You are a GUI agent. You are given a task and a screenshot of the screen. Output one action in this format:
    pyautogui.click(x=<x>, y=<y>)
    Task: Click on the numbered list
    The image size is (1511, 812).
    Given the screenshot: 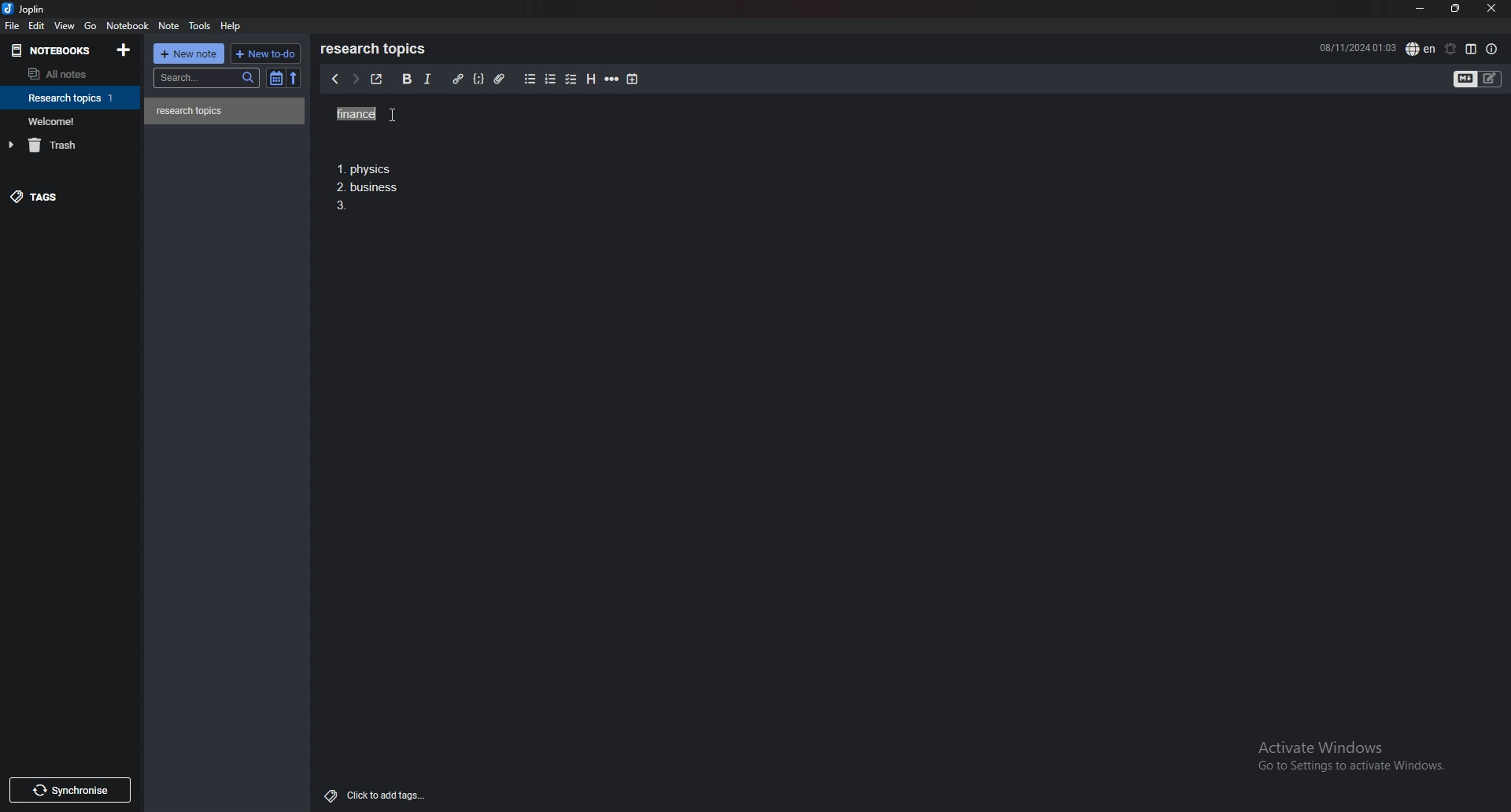 What is the action you would take?
    pyautogui.click(x=552, y=79)
    